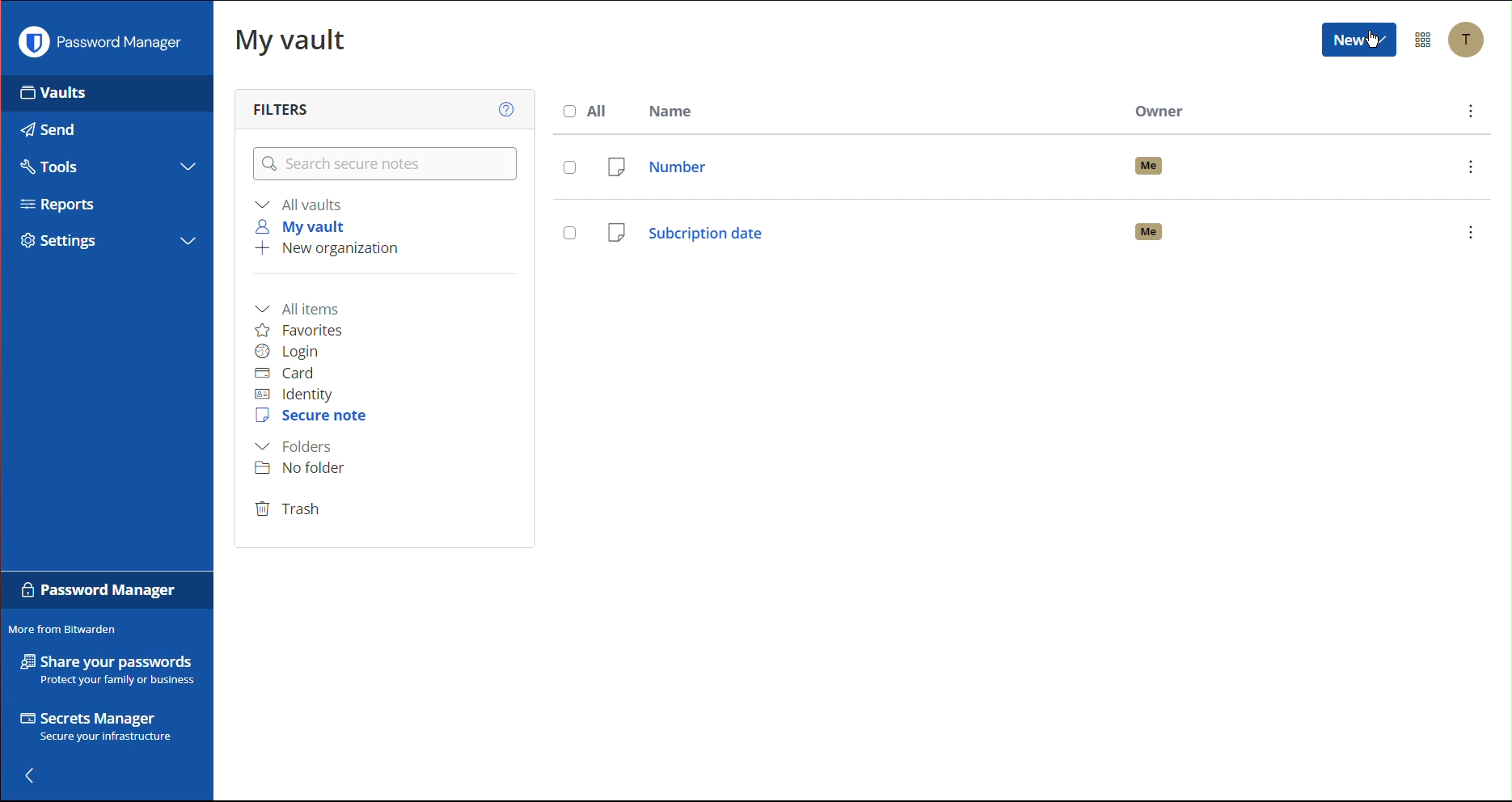 The width and height of the screenshot is (1512, 802). Describe the element at coordinates (306, 469) in the screenshot. I see `No folder` at that location.